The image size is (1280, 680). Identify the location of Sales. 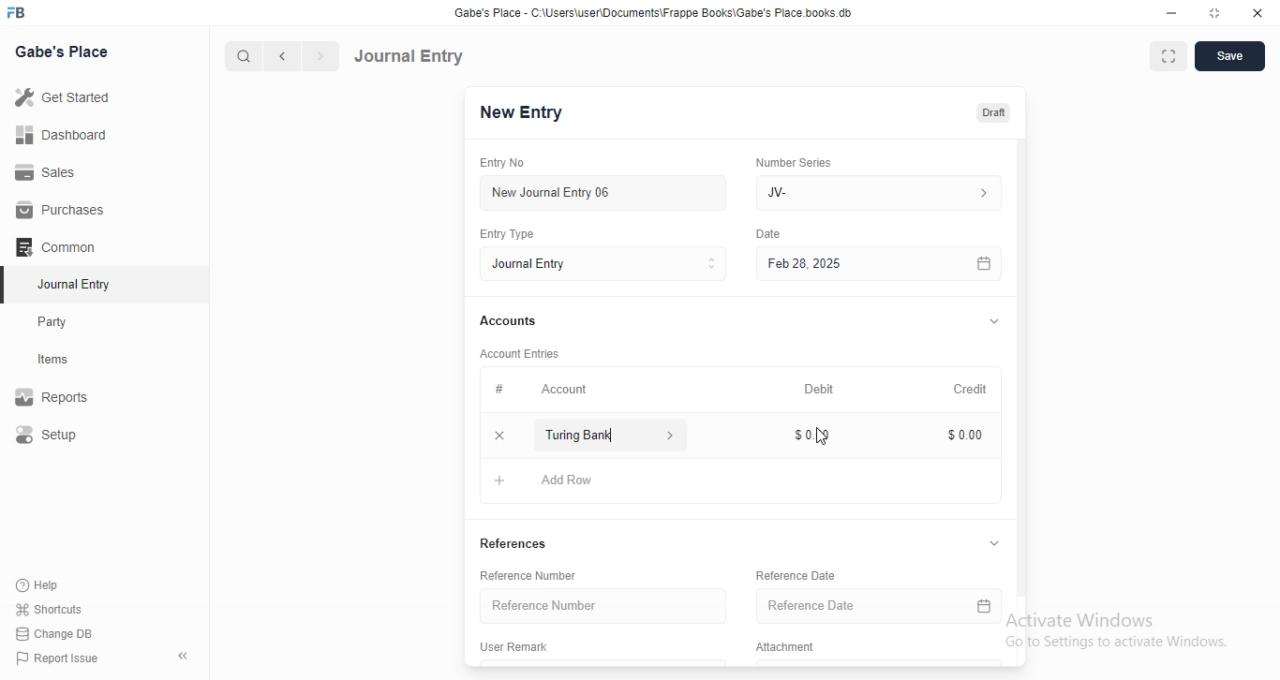
(64, 171).